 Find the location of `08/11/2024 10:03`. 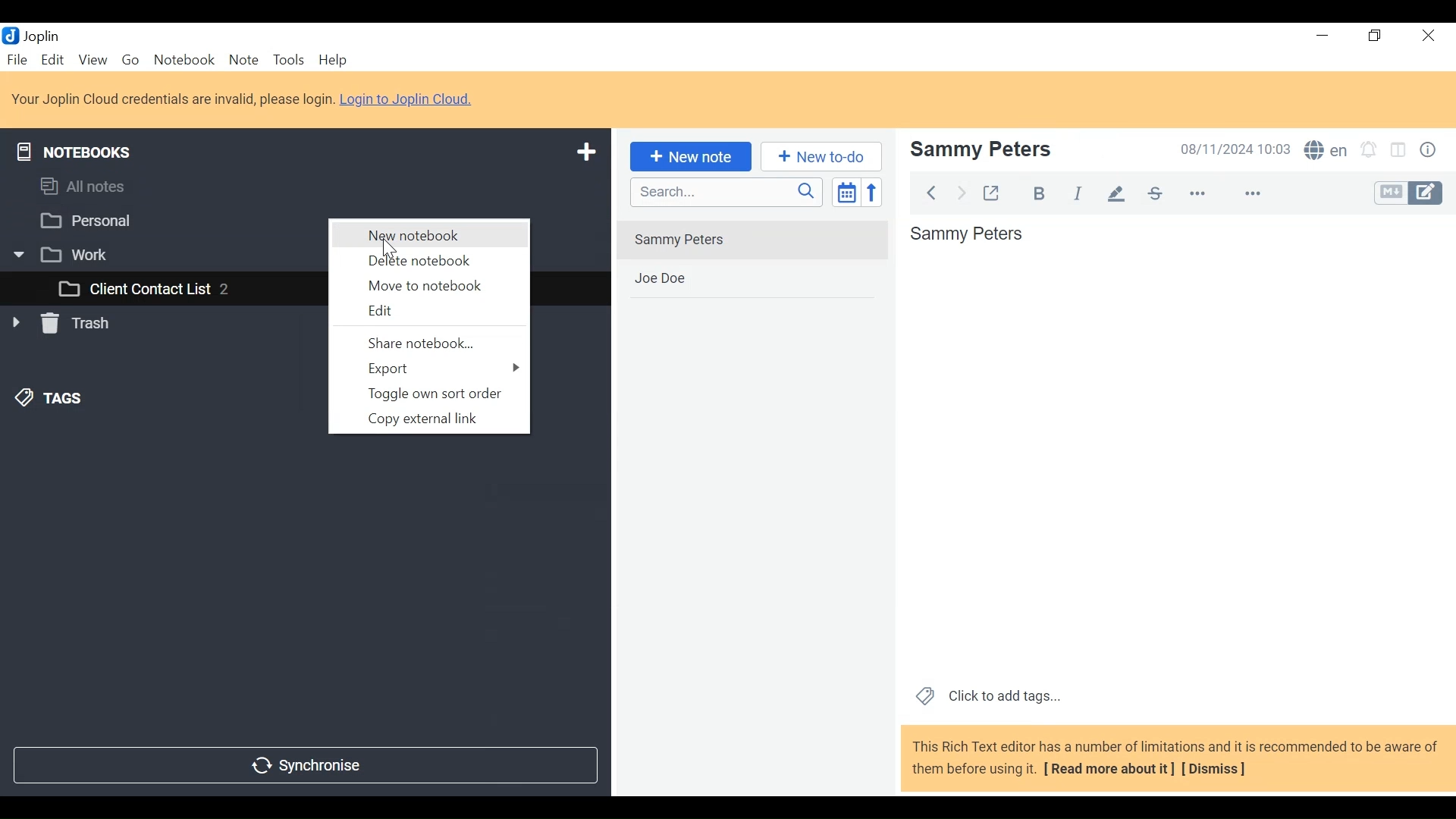

08/11/2024 10:03 is located at coordinates (1228, 149).